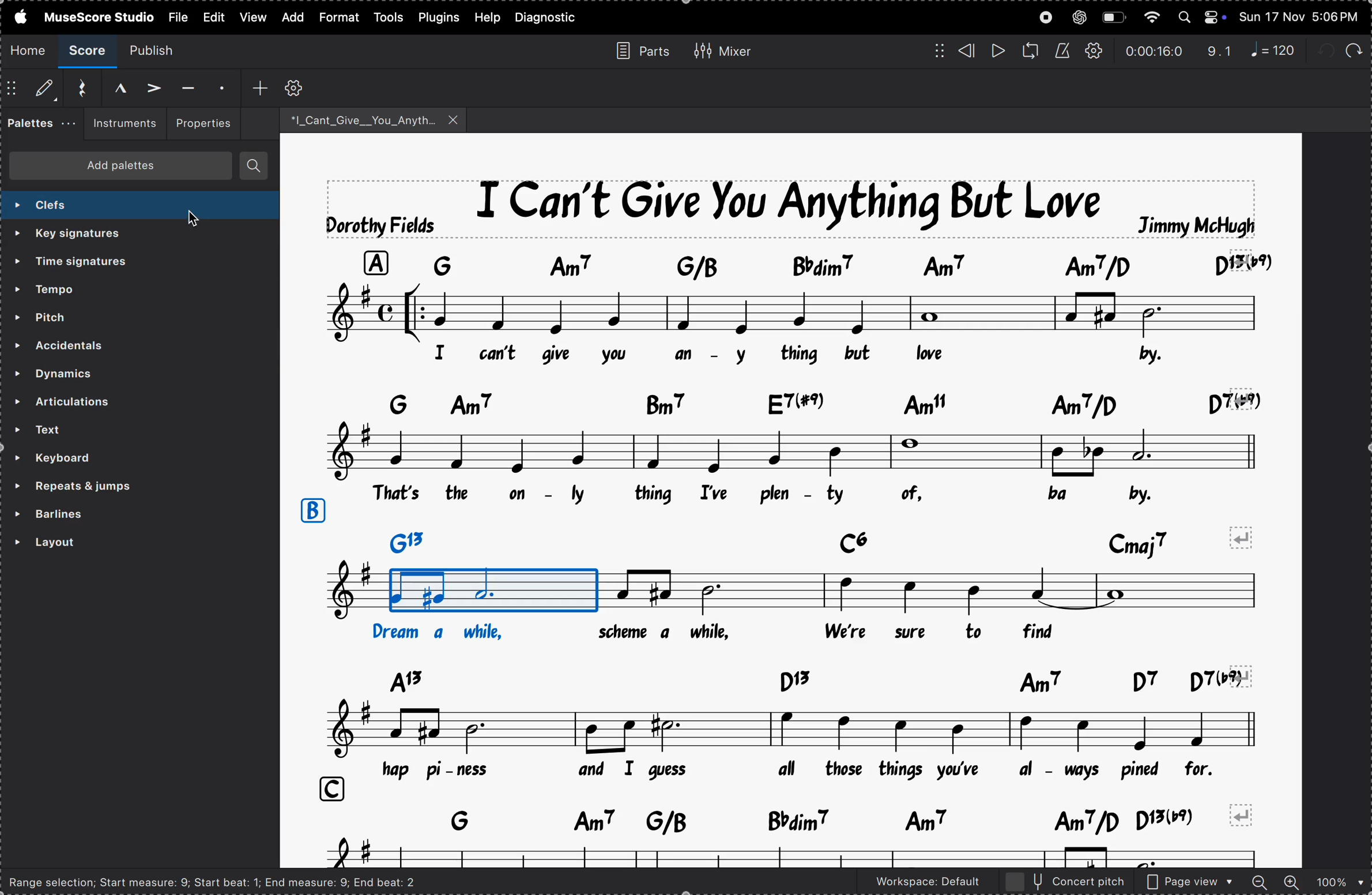  Describe the element at coordinates (1220, 51) in the screenshot. I see `redo` at that location.